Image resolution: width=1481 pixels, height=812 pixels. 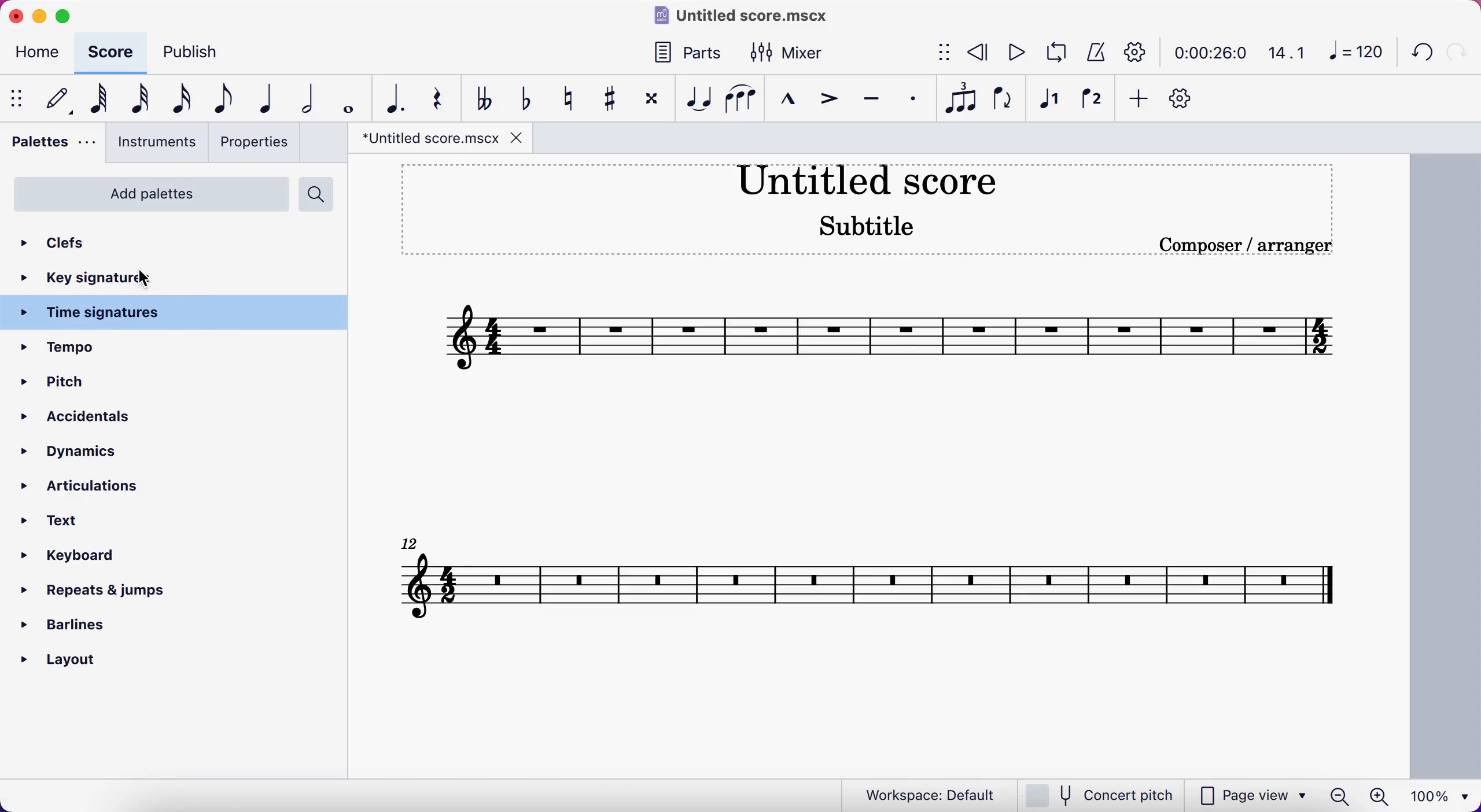 What do you see at coordinates (1251, 795) in the screenshot?
I see `page view` at bounding box center [1251, 795].